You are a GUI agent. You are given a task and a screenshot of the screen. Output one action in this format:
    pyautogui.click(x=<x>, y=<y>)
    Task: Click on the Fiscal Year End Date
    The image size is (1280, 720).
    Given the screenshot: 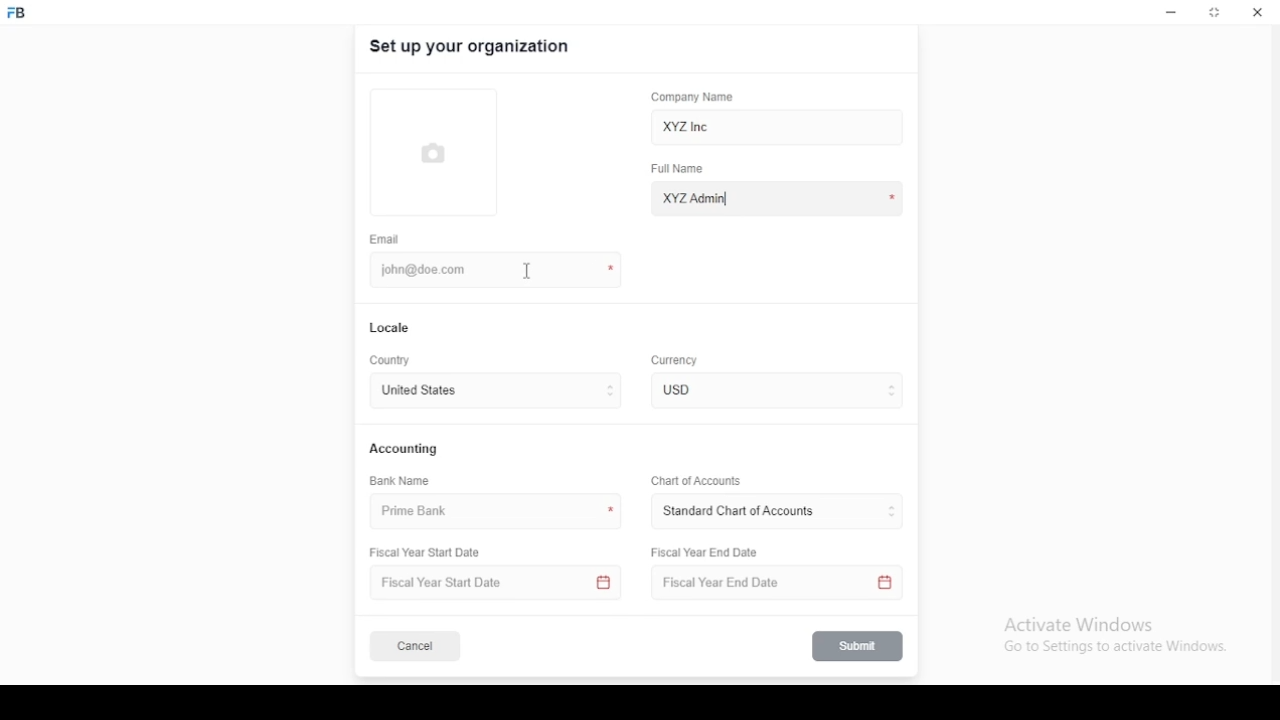 What is the action you would take?
    pyautogui.click(x=771, y=583)
    